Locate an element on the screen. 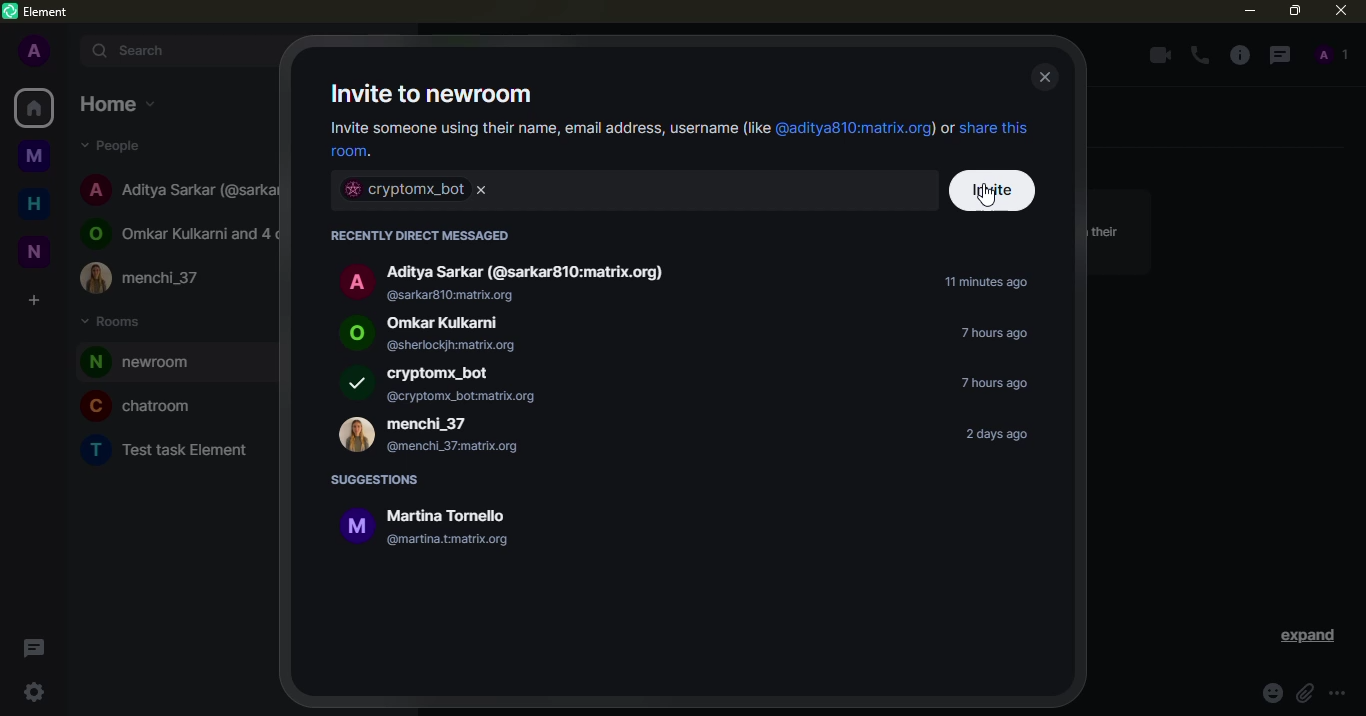 The image size is (1366, 716). threads is located at coordinates (1281, 56).